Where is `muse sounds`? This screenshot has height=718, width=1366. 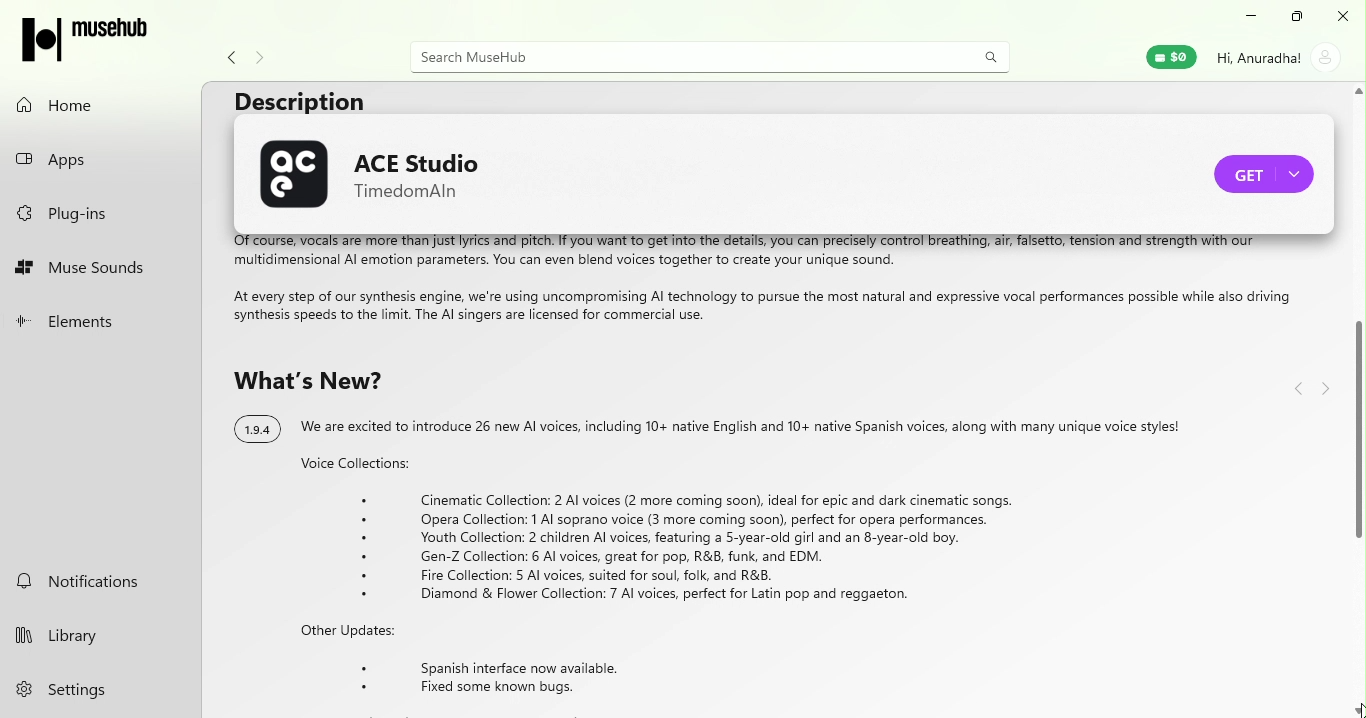 muse sounds is located at coordinates (102, 269).